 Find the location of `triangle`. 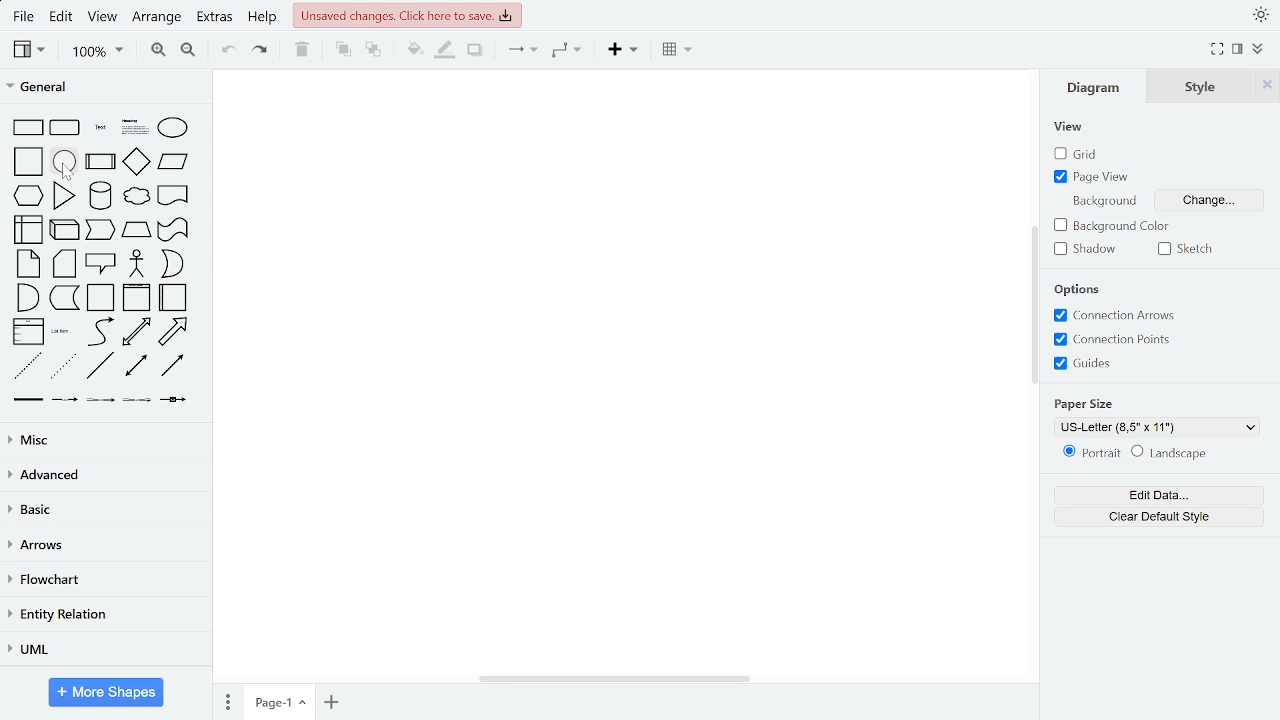

triangle is located at coordinates (65, 195).